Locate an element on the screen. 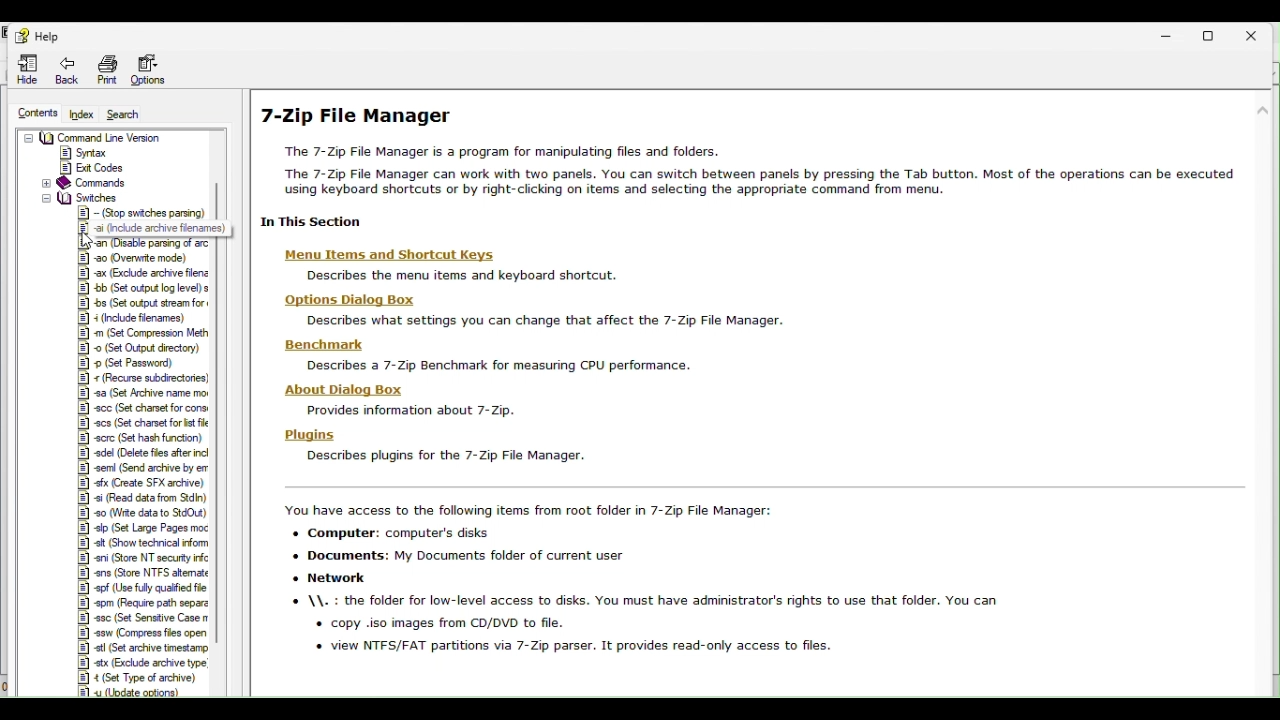 Image resolution: width=1280 pixels, height=720 pixels. Options is located at coordinates (150, 67).